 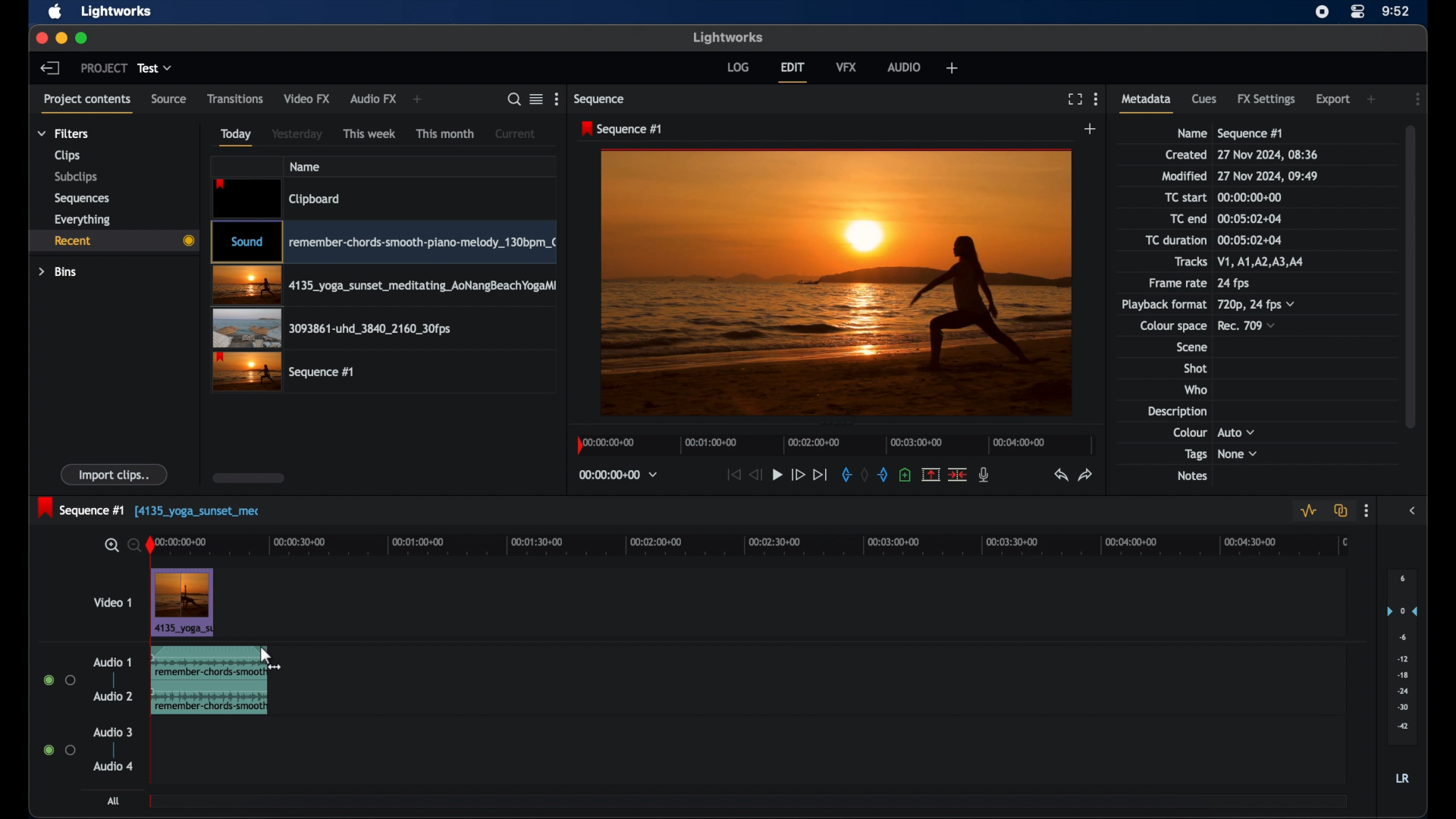 What do you see at coordinates (1147, 102) in the screenshot?
I see `metadata` at bounding box center [1147, 102].